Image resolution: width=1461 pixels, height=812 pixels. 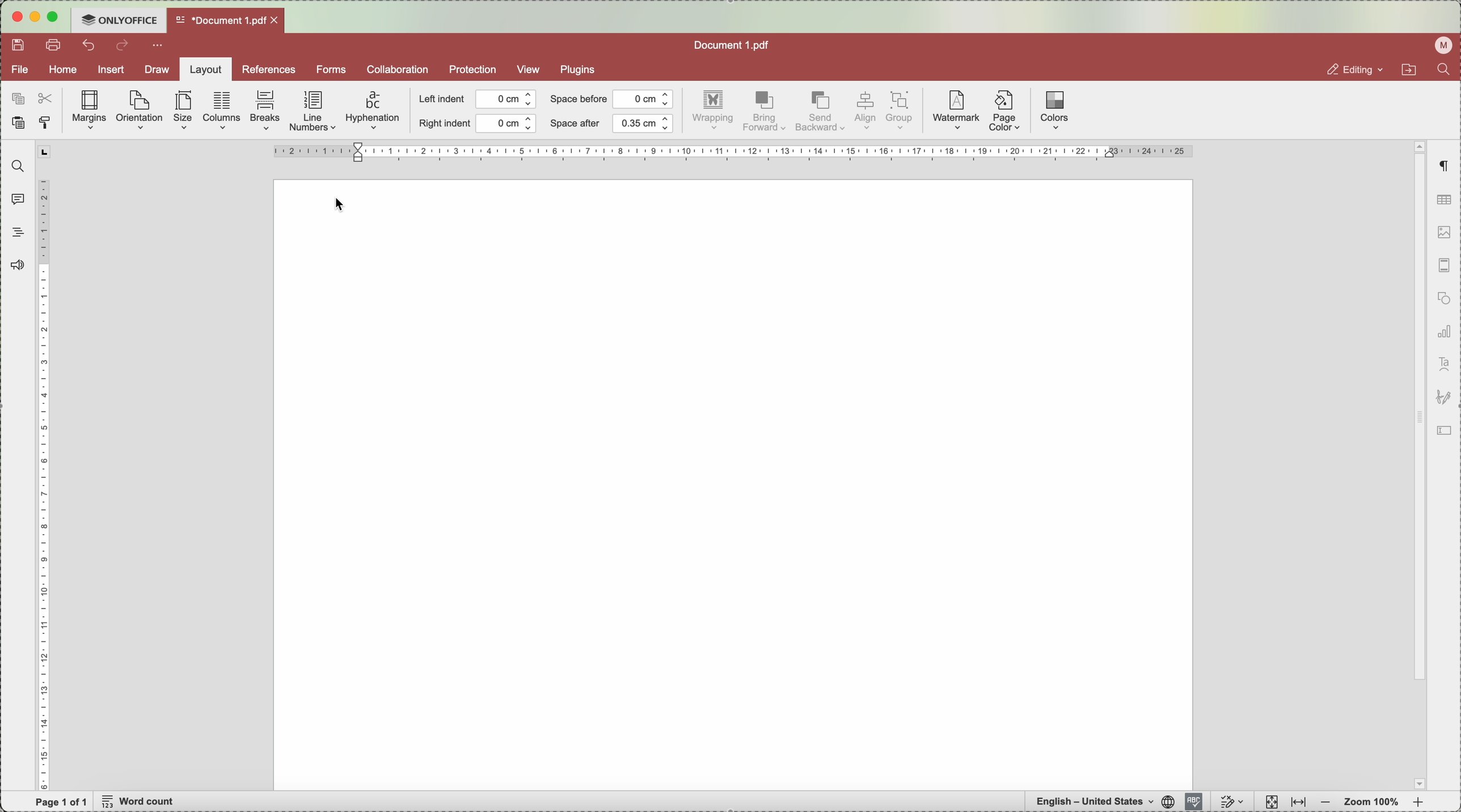 I want to click on feedback and support, so click(x=19, y=264).